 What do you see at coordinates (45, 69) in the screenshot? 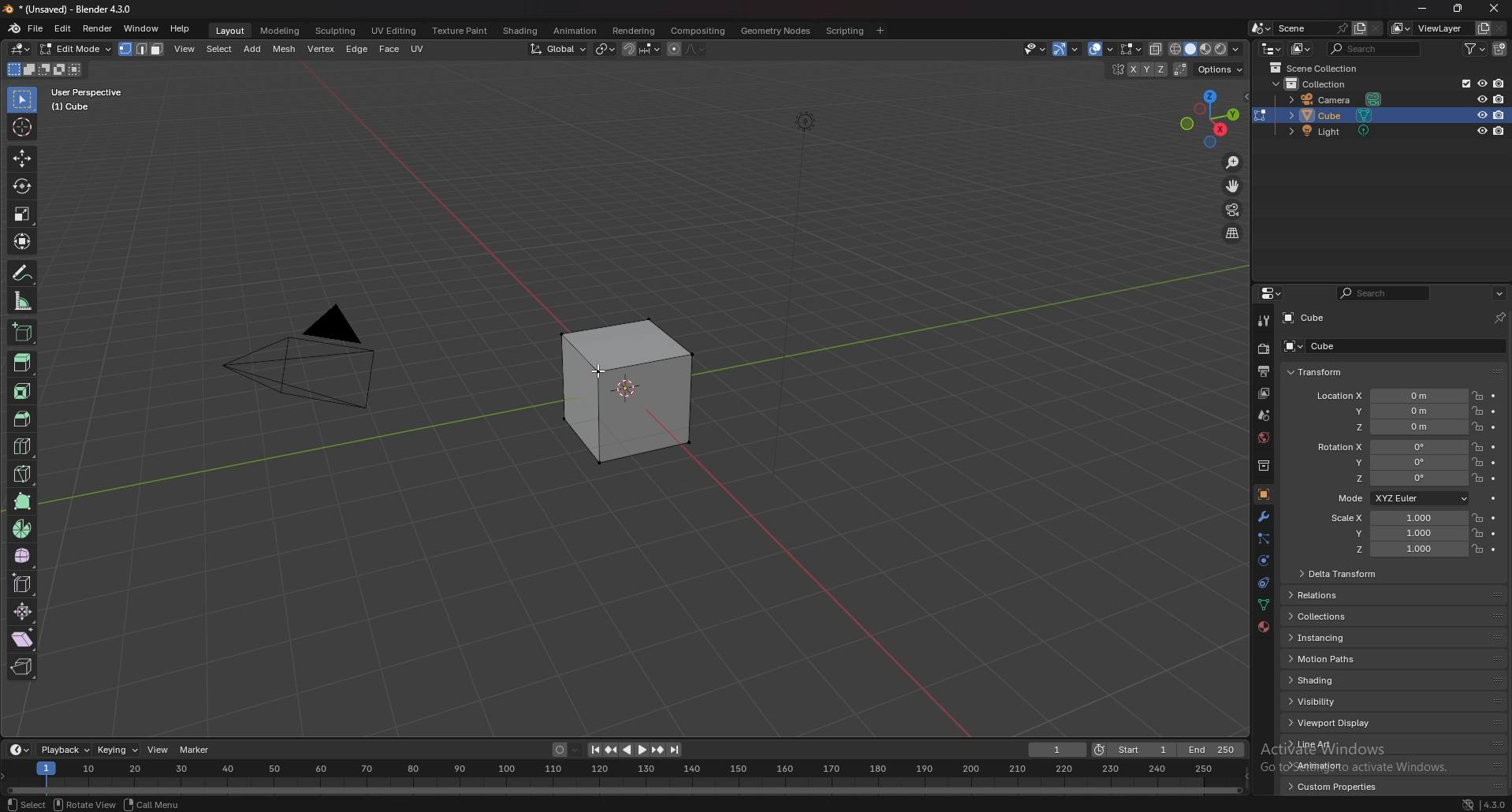
I see `modes` at bounding box center [45, 69].